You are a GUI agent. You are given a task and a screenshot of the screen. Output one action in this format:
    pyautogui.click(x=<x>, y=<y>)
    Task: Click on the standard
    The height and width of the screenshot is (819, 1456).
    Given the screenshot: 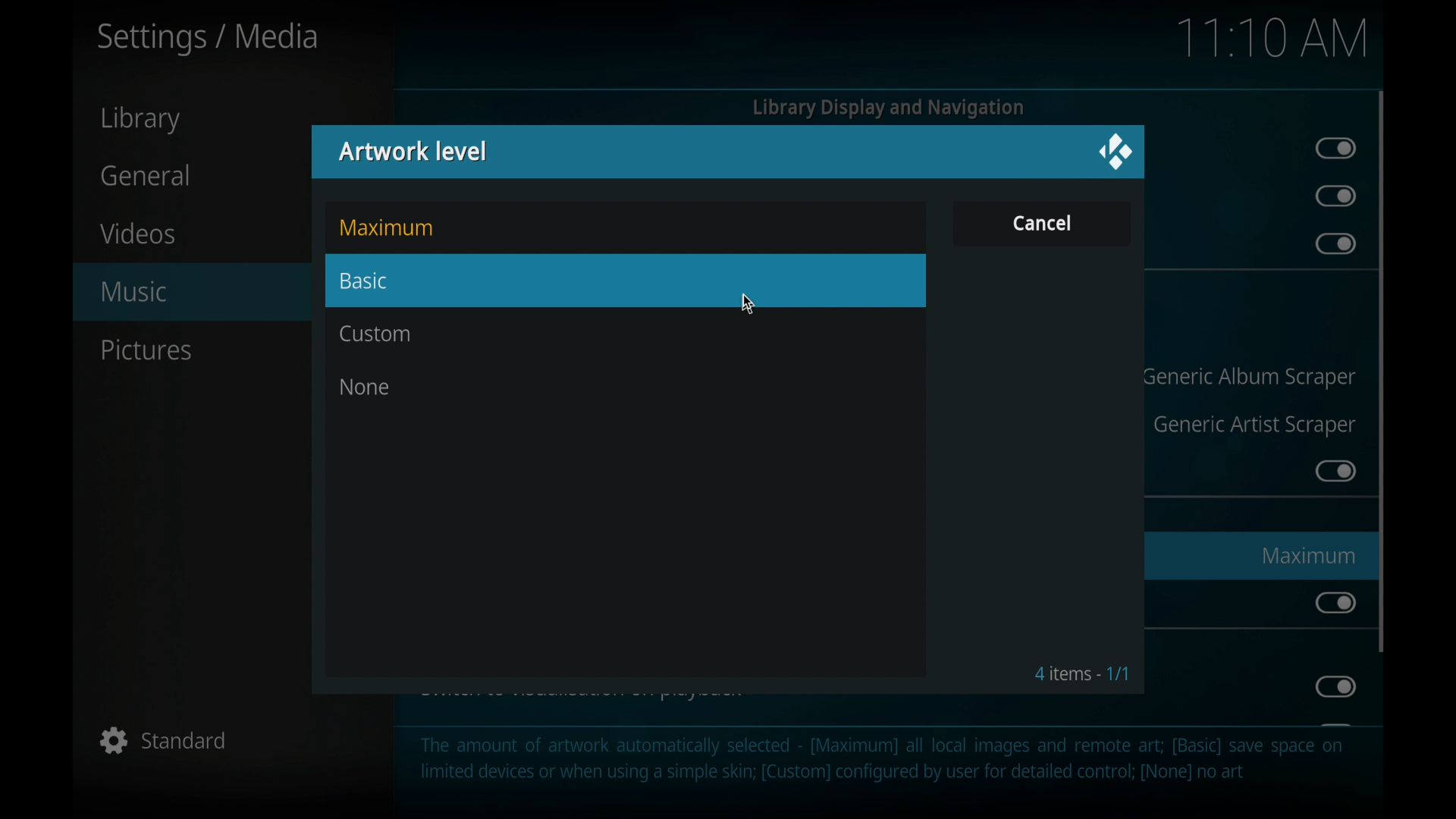 What is the action you would take?
    pyautogui.click(x=163, y=742)
    